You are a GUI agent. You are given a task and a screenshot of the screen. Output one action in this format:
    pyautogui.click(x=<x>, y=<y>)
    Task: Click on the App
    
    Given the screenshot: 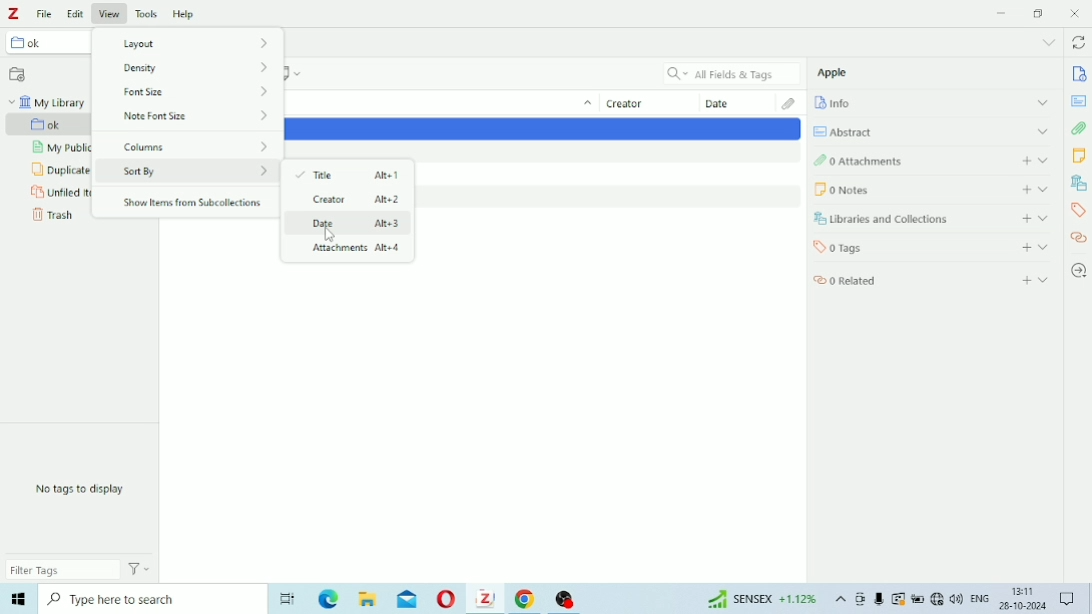 What is the action you would take?
    pyautogui.click(x=569, y=596)
    